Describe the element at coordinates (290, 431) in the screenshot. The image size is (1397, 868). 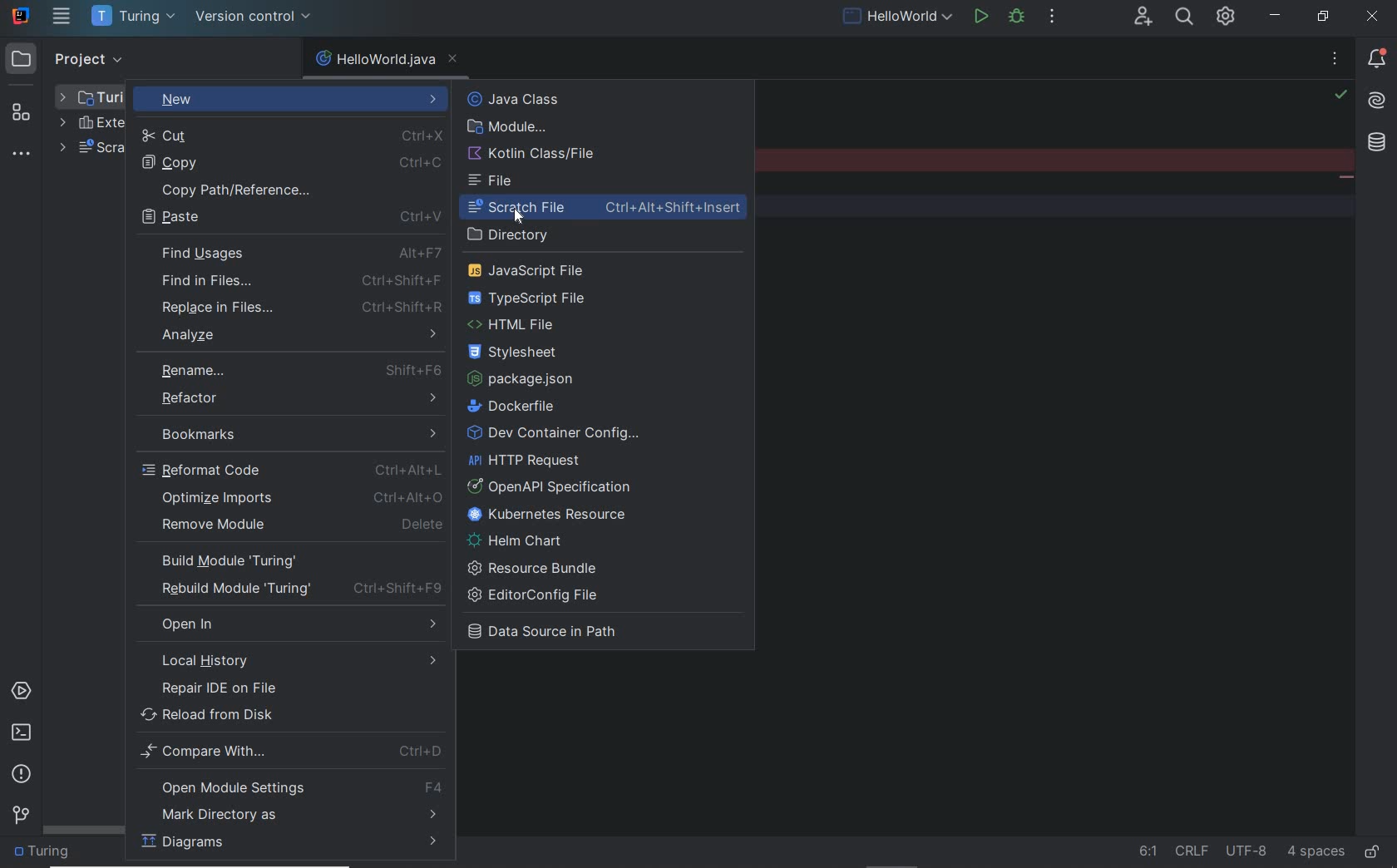
I see `bookmarks` at that location.